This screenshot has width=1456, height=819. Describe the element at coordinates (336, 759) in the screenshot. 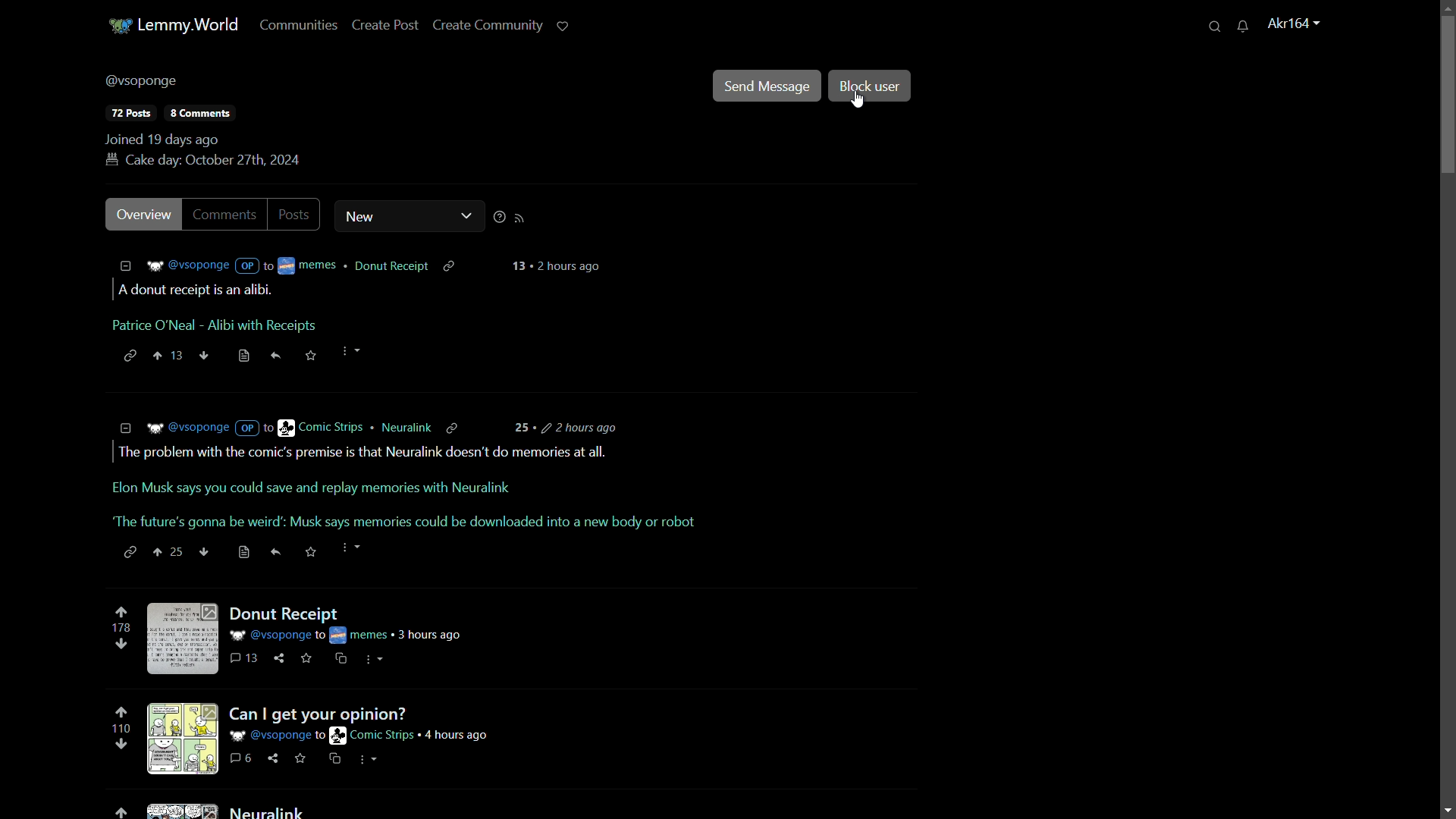

I see `save` at that location.